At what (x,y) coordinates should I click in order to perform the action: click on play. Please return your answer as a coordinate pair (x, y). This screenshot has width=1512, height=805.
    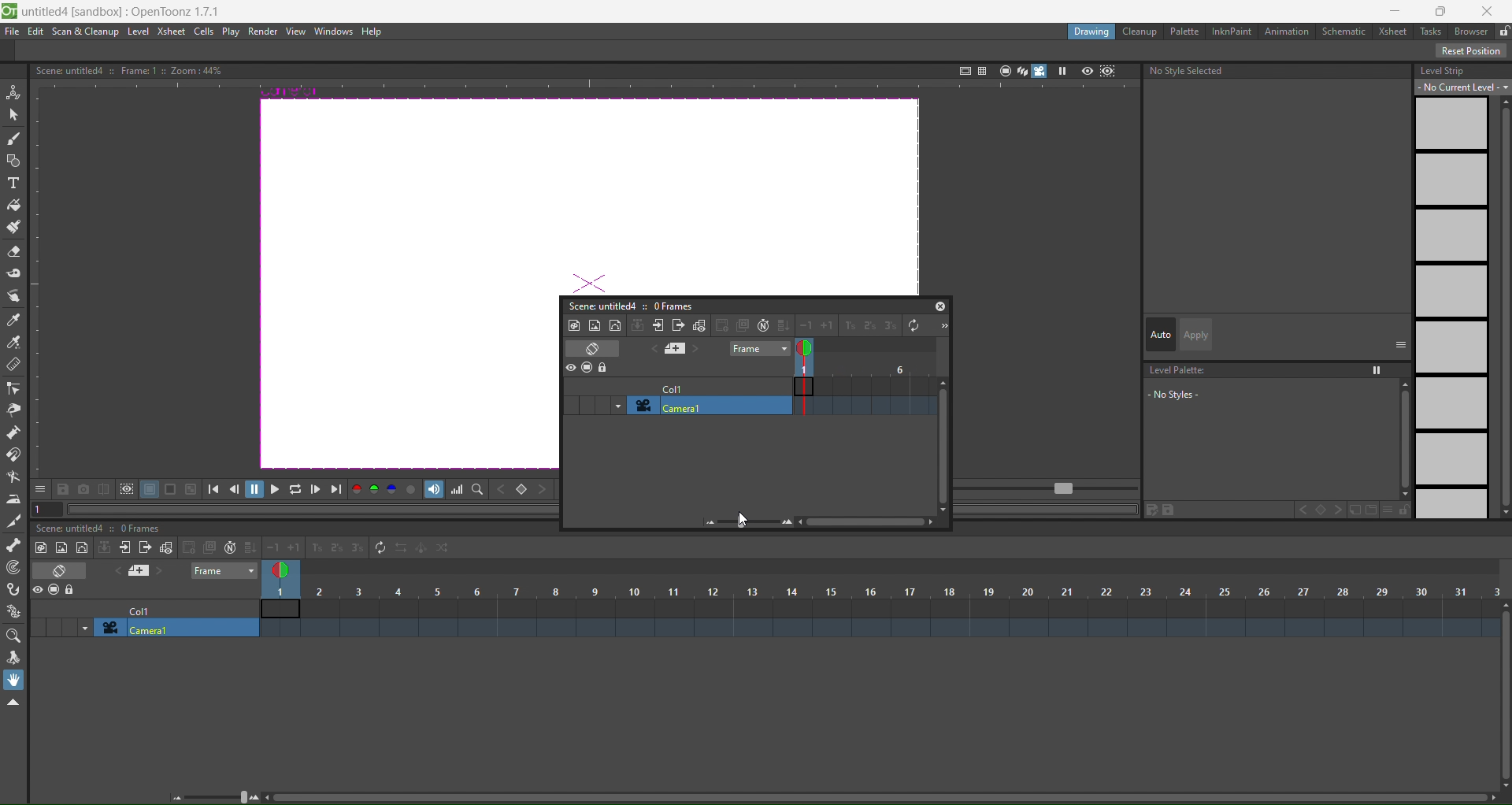
    Looking at the image, I should click on (231, 32).